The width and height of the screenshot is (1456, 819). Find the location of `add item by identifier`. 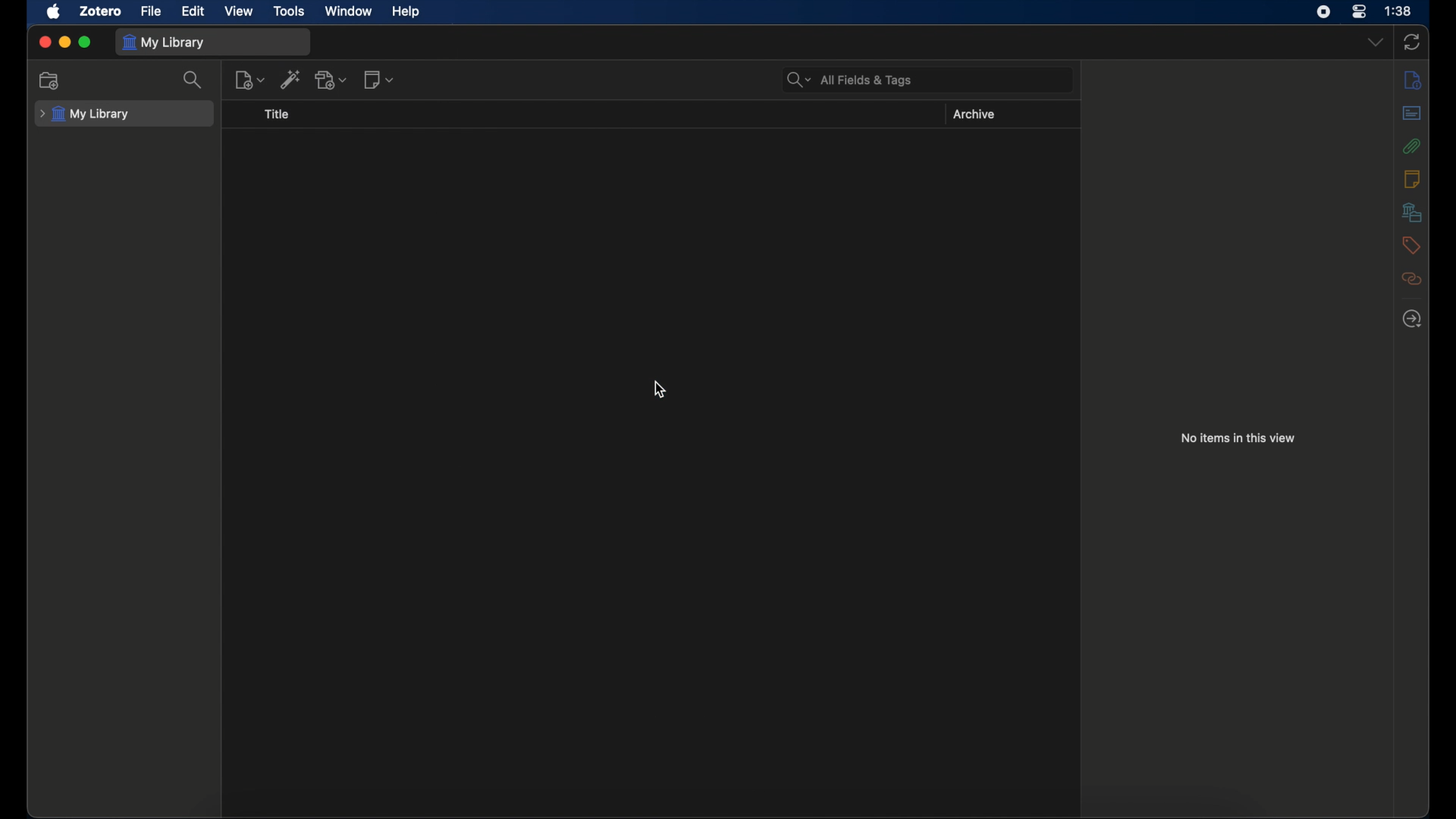

add item by identifier is located at coordinates (291, 79).